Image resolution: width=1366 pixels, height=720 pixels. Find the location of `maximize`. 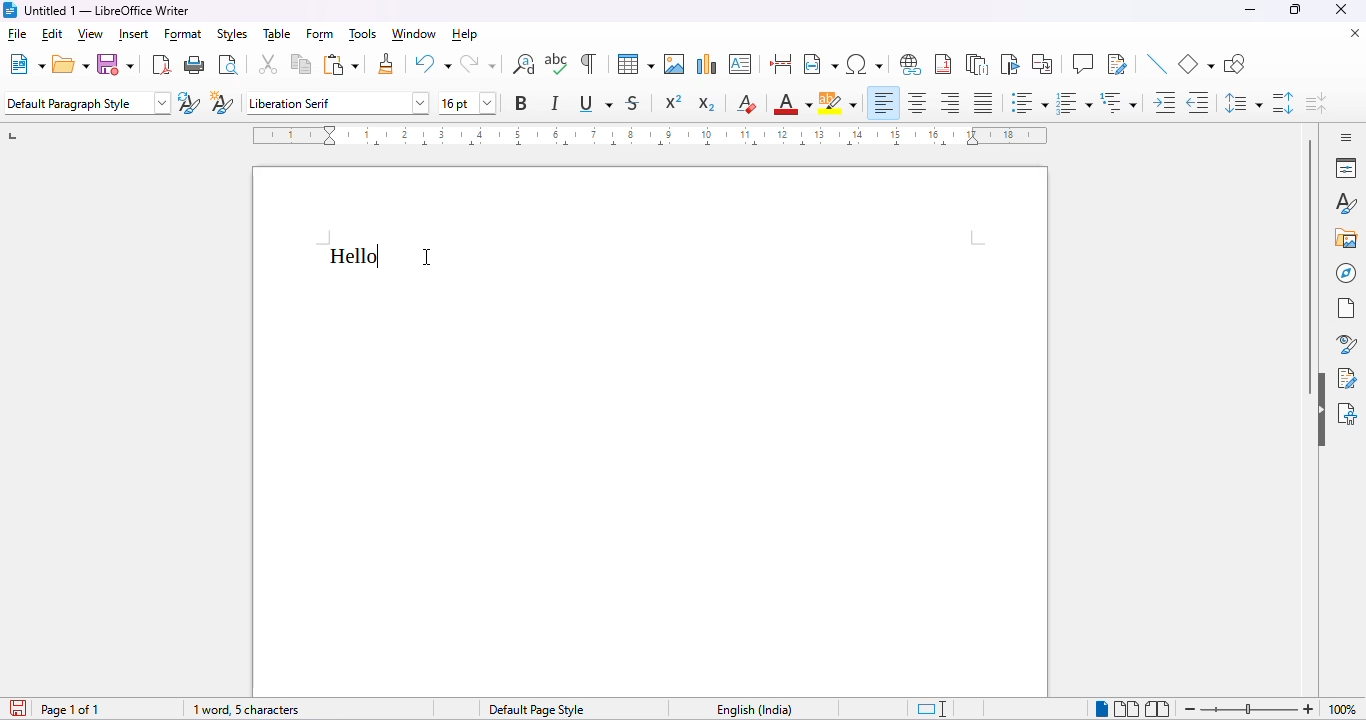

maximize is located at coordinates (1296, 10).